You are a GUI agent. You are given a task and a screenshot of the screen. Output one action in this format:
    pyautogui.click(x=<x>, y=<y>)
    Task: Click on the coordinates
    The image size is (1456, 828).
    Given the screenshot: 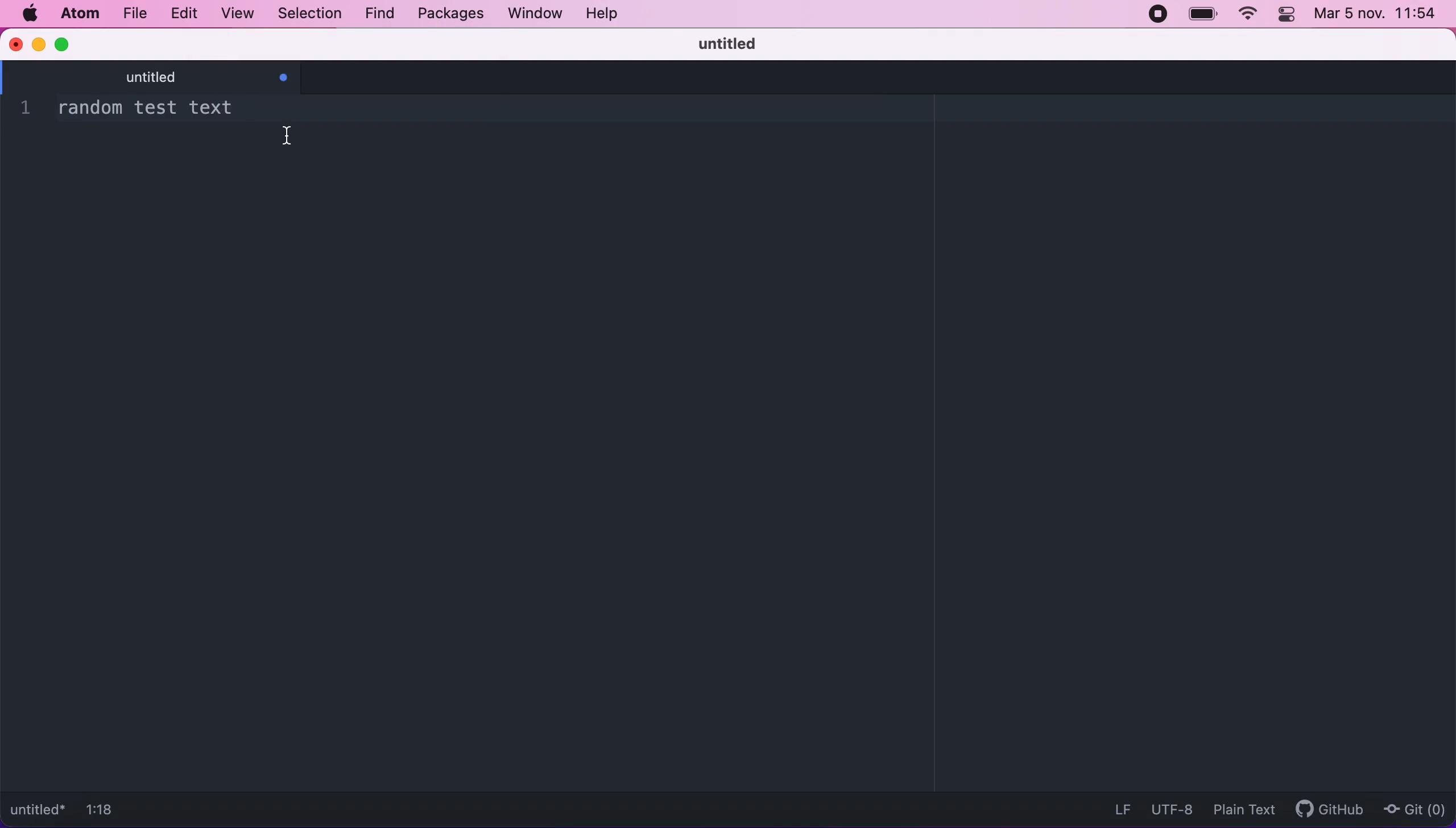 What is the action you would take?
    pyautogui.click(x=112, y=812)
    